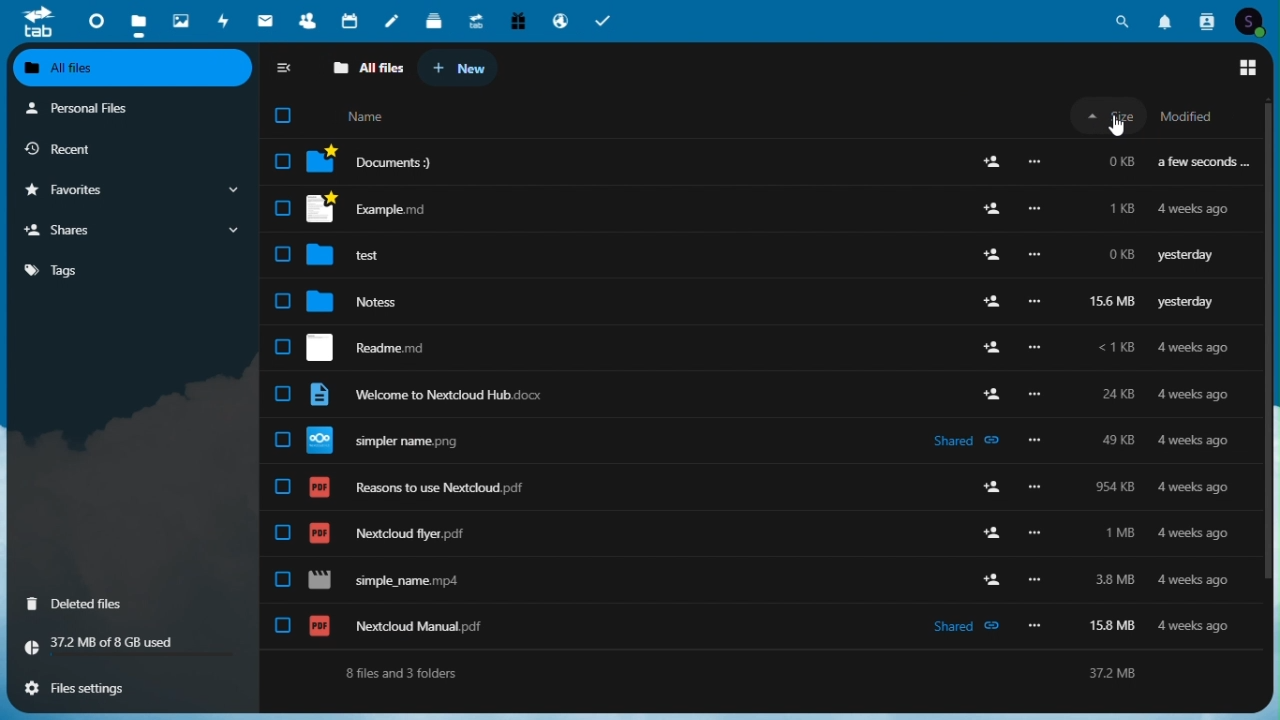 This screenshot has width=1280, height=720. What do you see at coordinates (1167, 19) in the screenshot?
I see `Notifications` at bounding box center [1167, 19].